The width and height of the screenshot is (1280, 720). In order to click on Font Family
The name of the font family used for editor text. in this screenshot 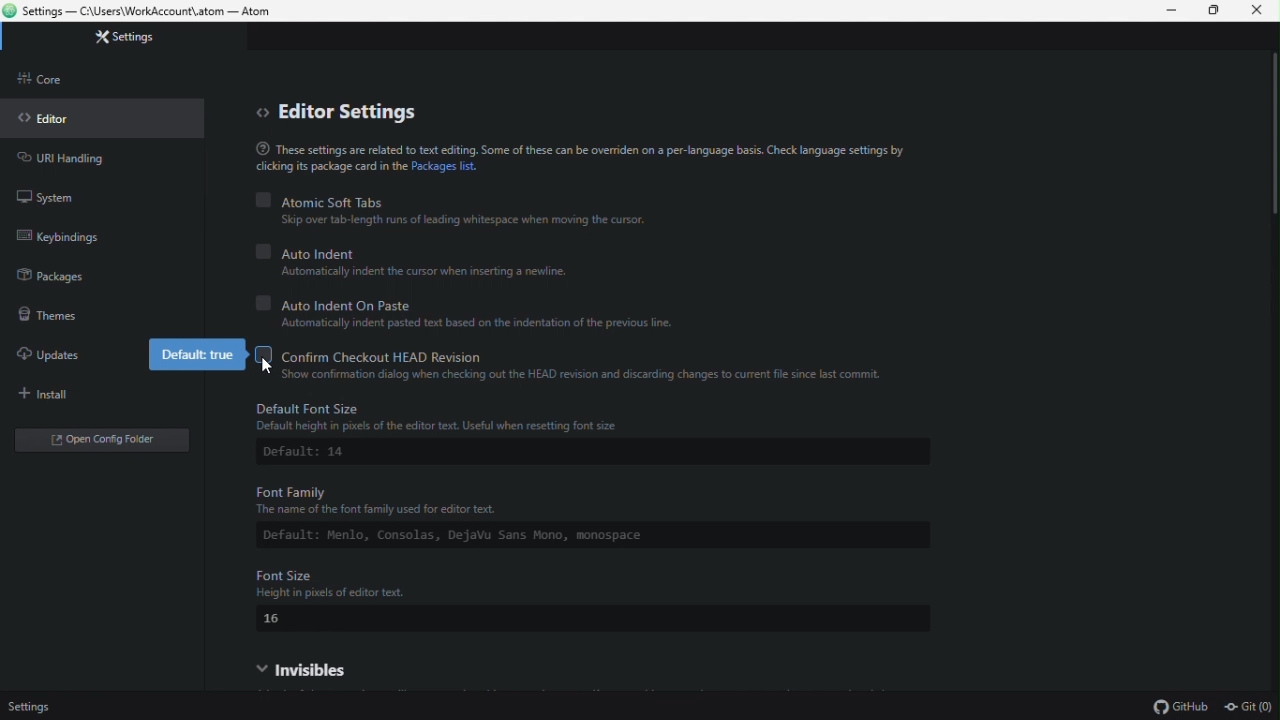, I will do `click(524, 499)`.